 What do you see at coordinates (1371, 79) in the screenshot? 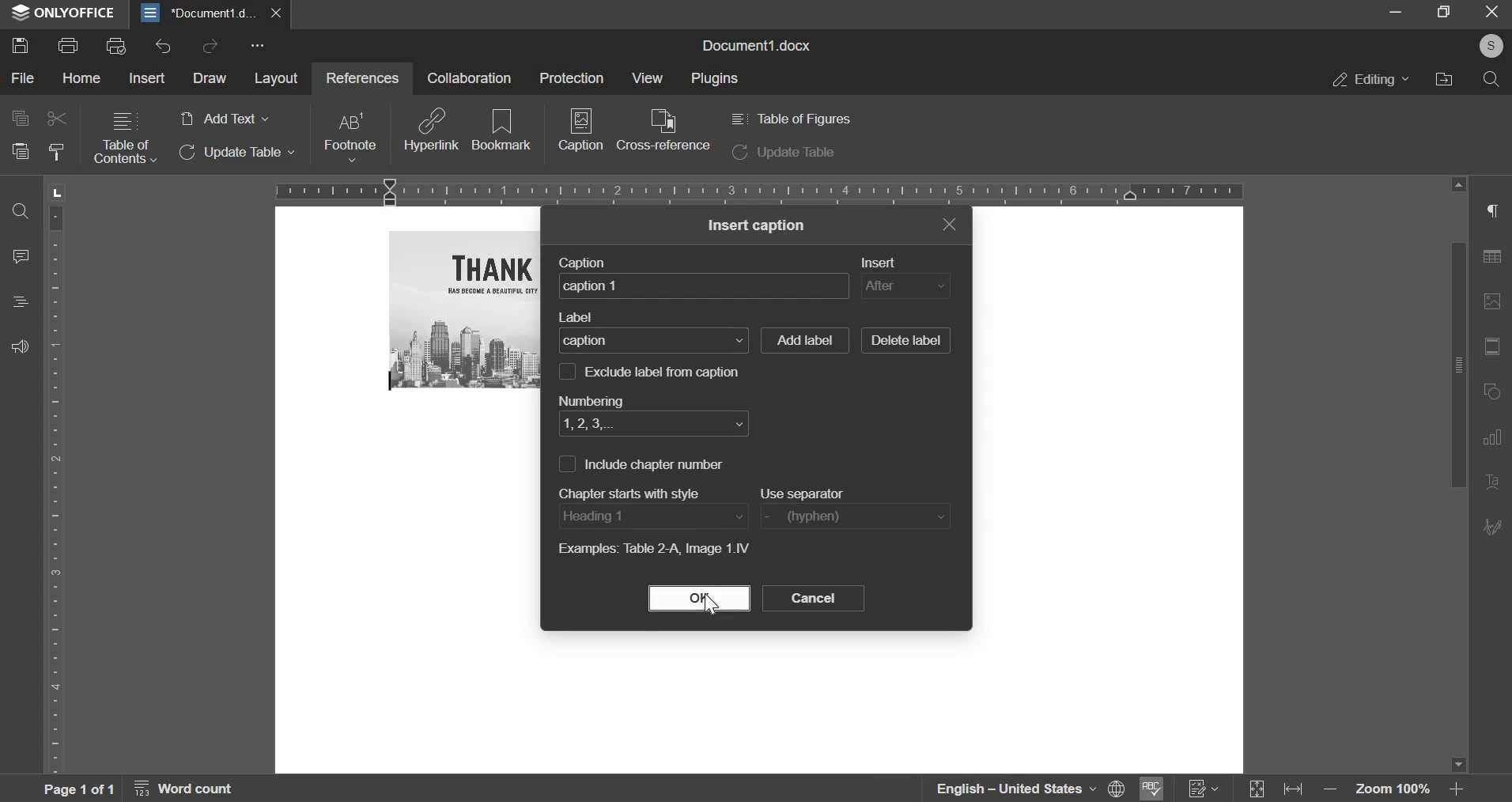
I see `editing` at bounding box center [1371, 79].